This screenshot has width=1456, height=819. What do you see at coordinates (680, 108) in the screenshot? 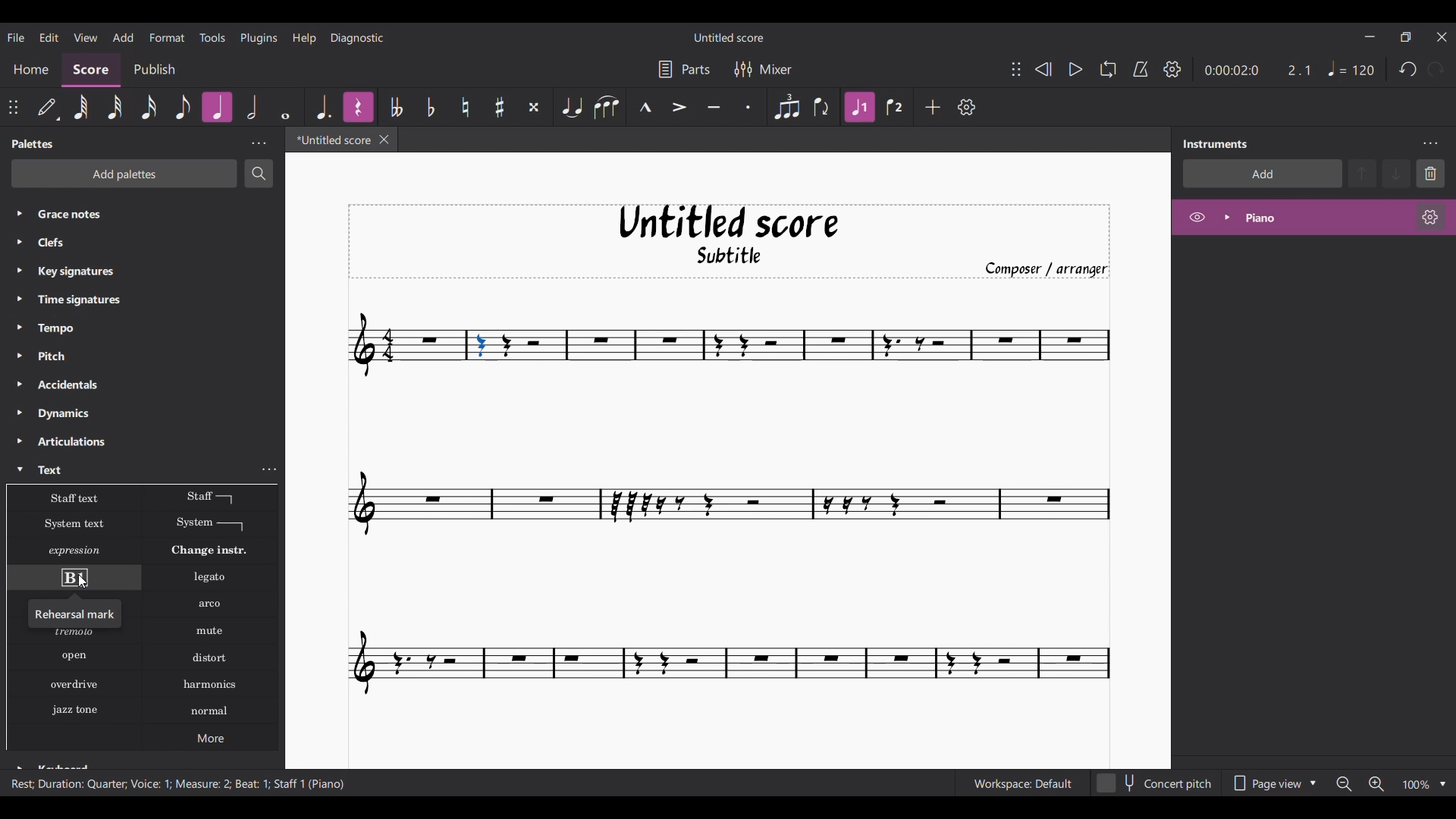
I see `Accent` at bounding box center [680, 108].